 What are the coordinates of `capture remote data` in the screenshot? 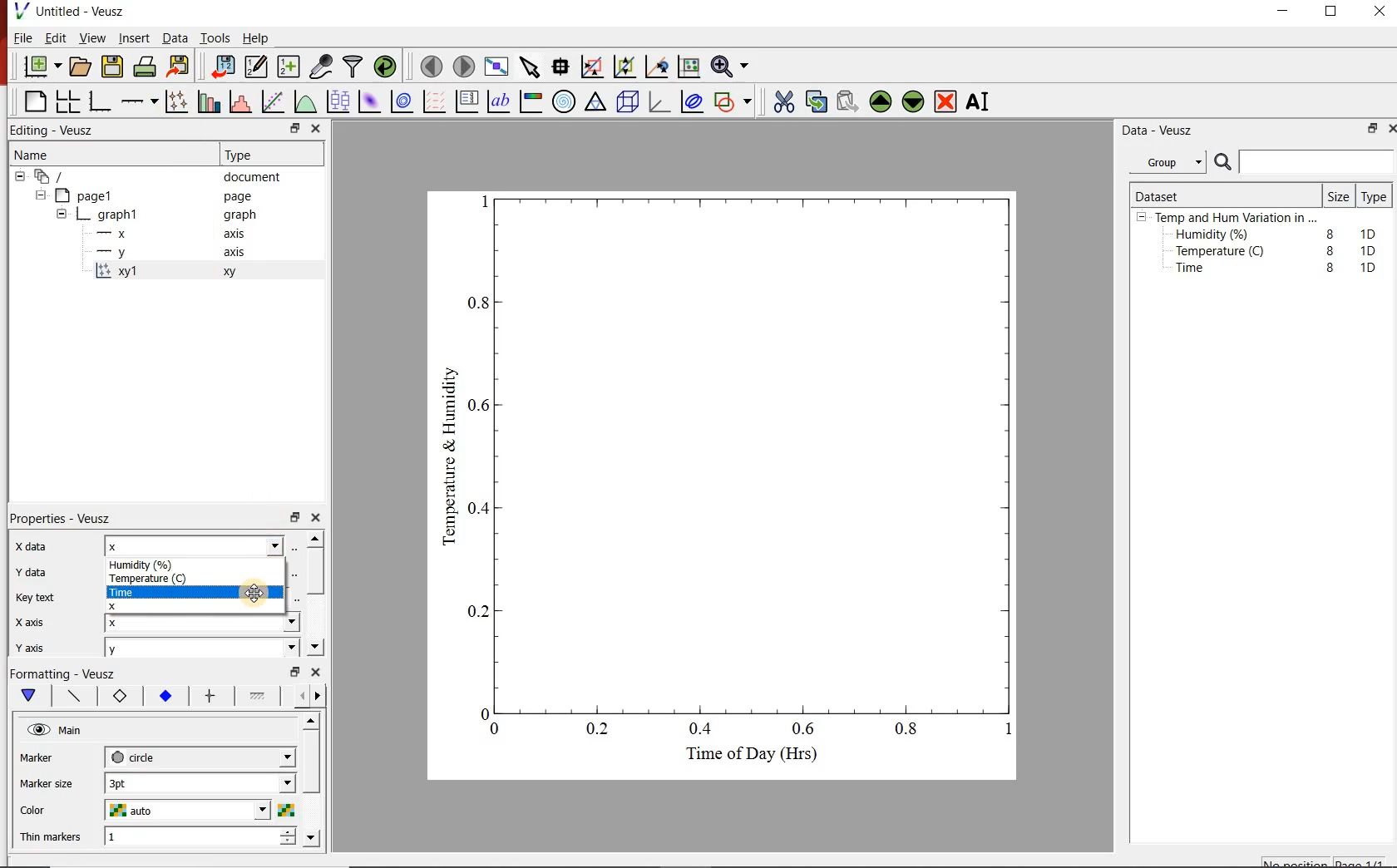 It's located at (320, 65).